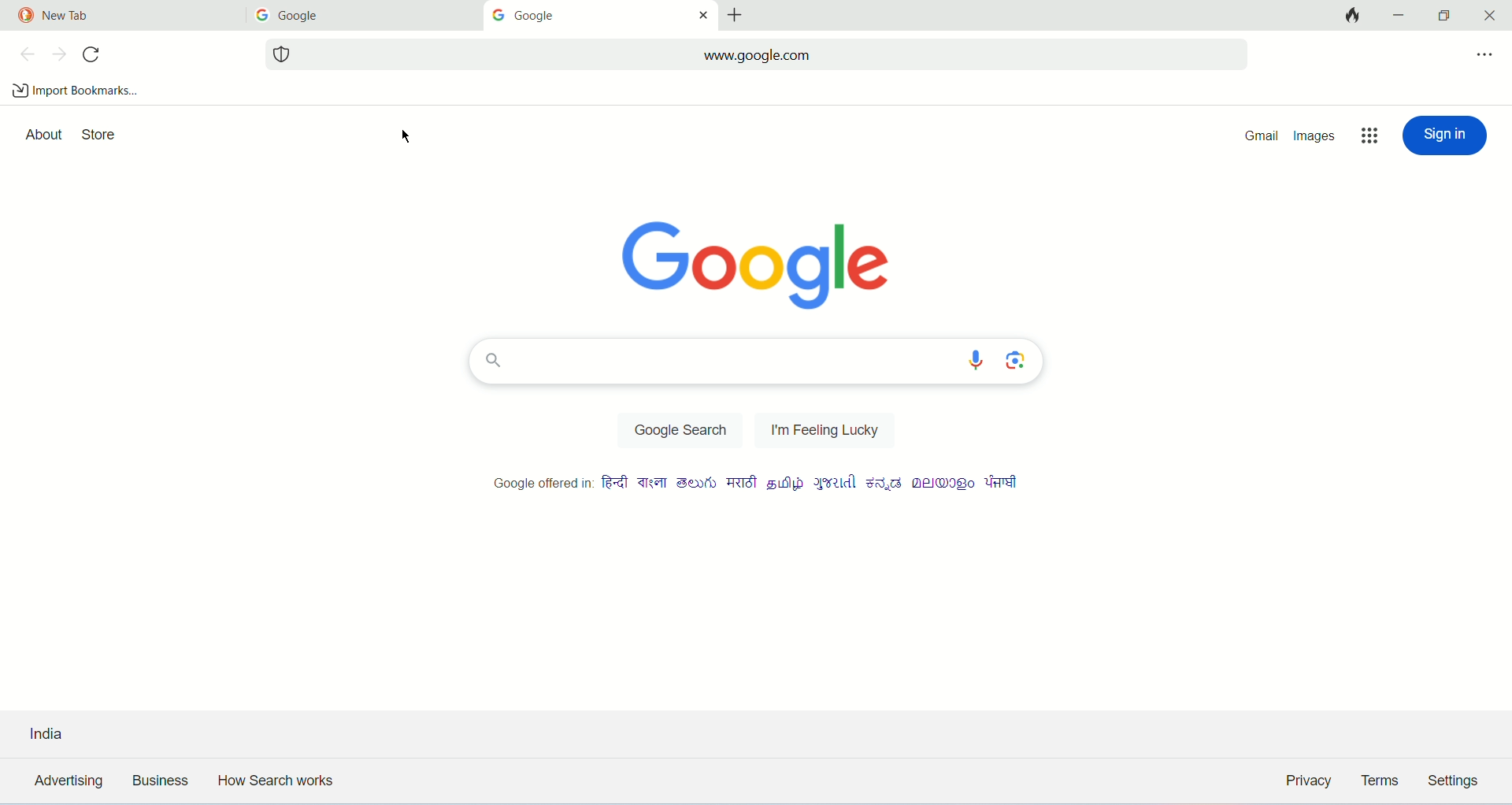  I want to click on google logo, so click(494, 16).